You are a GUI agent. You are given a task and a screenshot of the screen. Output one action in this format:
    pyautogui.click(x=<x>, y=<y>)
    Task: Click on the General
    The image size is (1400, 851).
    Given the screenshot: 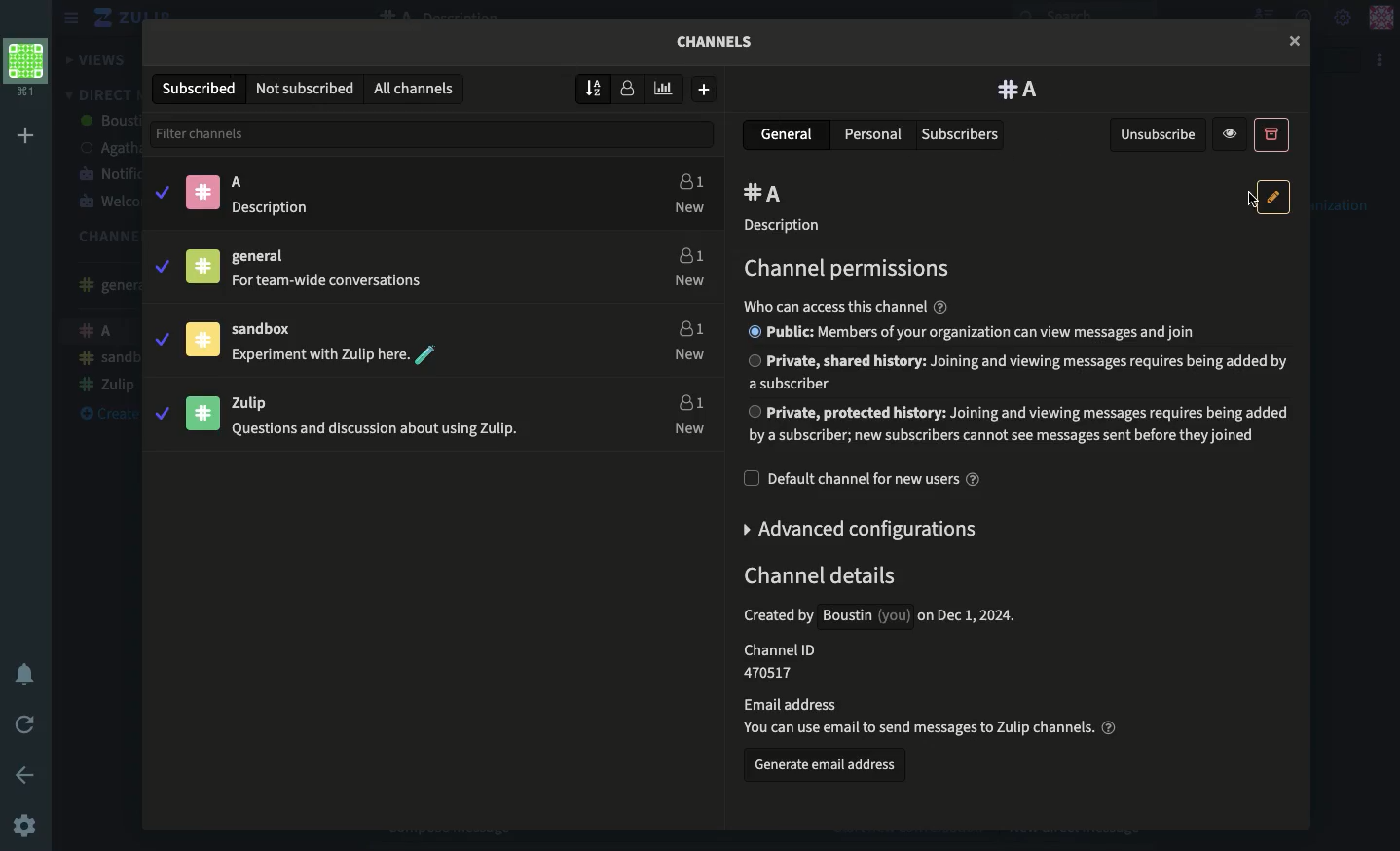 What is the action you would take?
    pyautogui.click(x=308, y=273)
    